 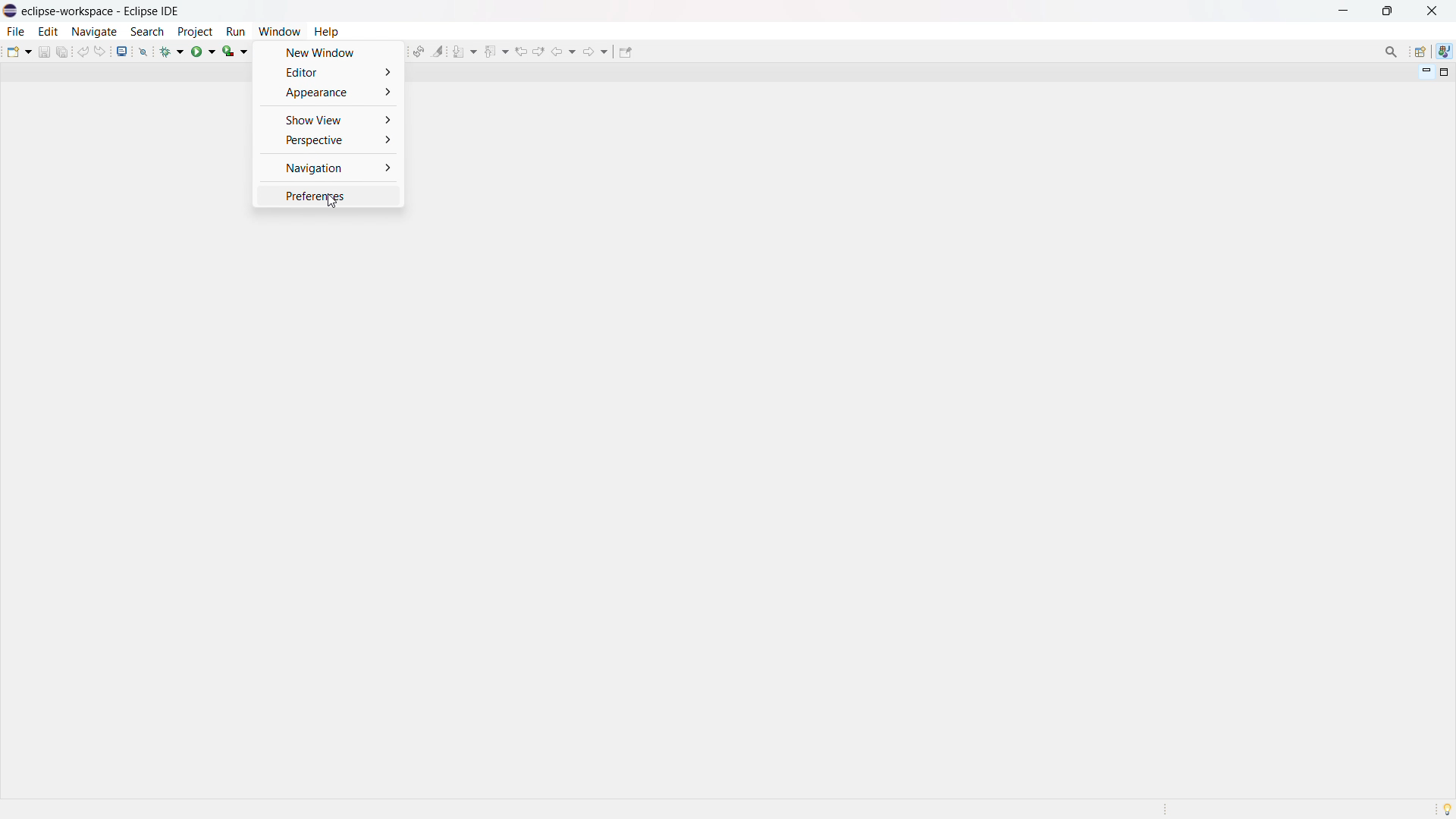 What do you see at coordinates (143, 51) in the screenshot?
I see `skip all breakpoints` at bounding box center [143, 51].